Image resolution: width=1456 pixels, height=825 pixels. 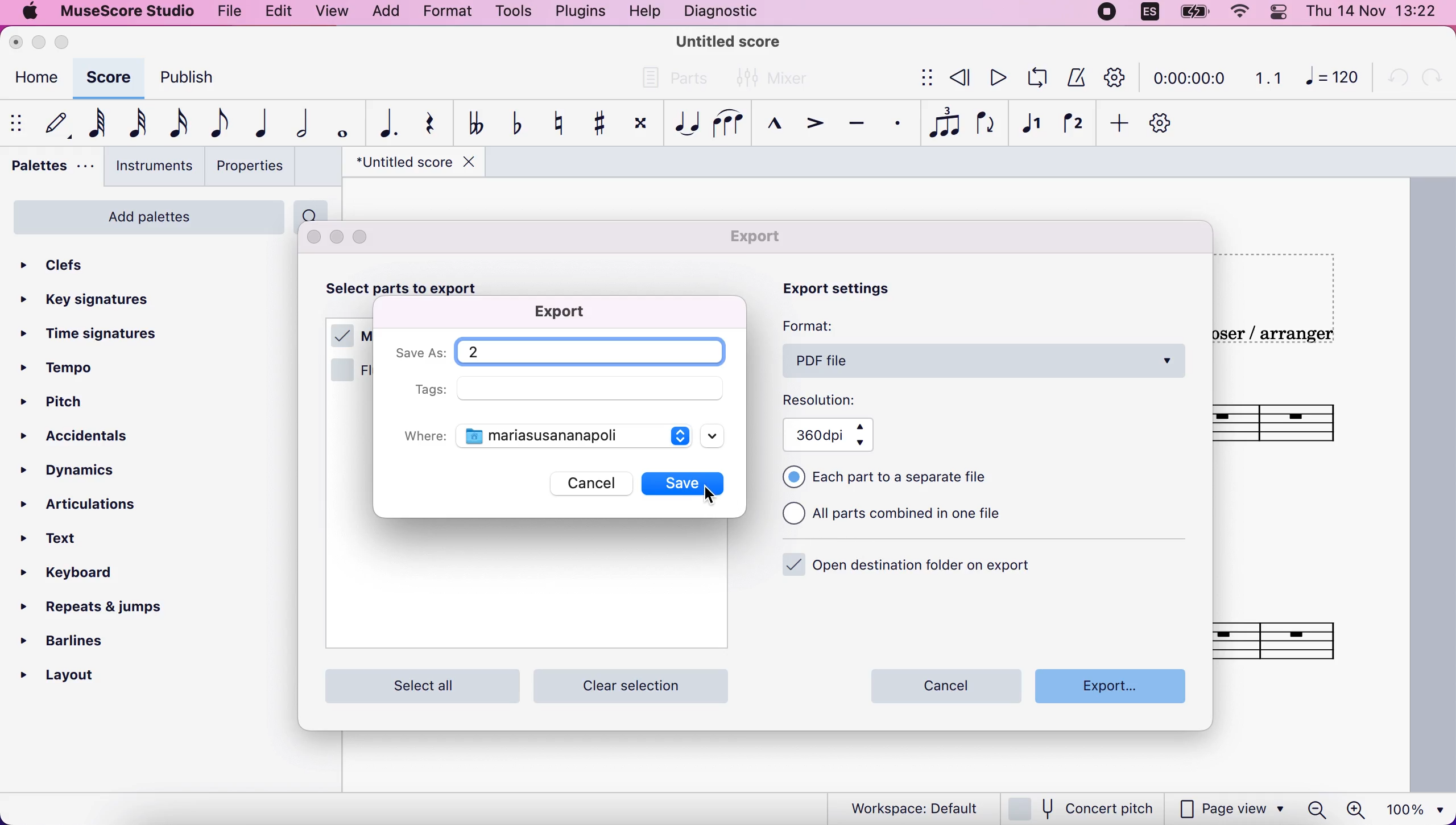 I want to click on save as, so click(x=419, y=349).